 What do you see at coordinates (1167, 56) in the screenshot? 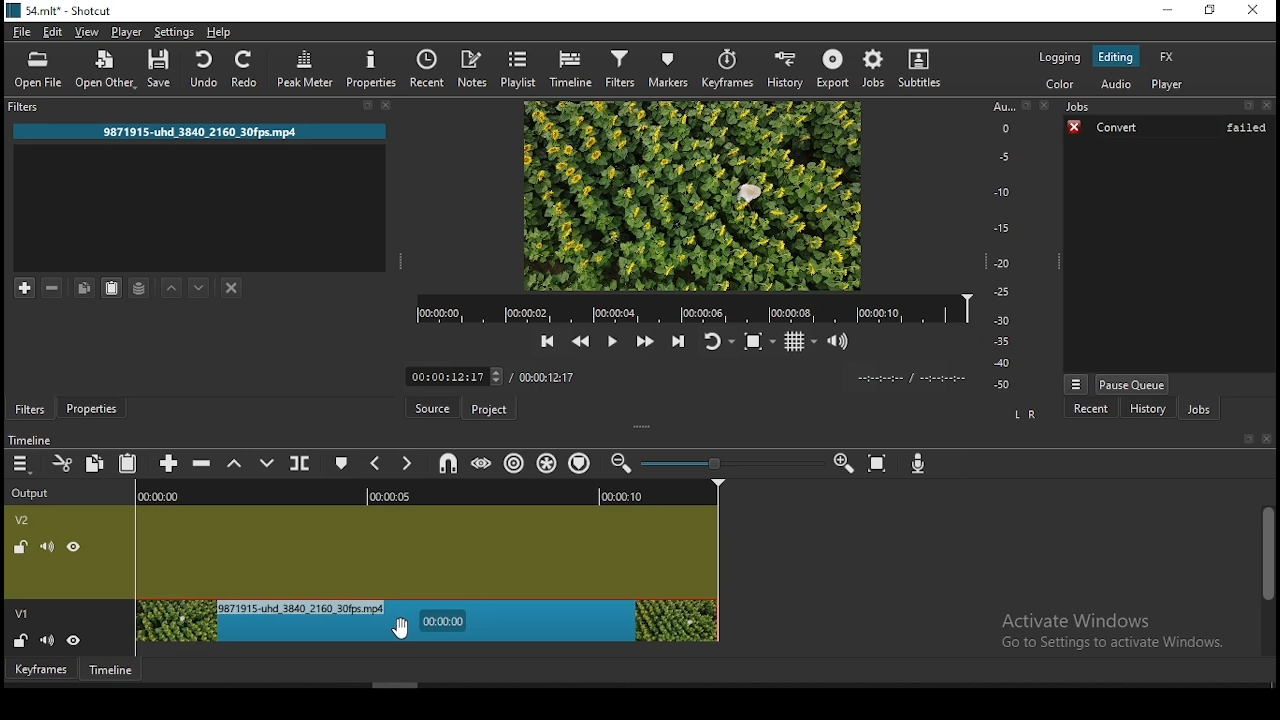
I see `fx` at bounding box center [1167, 56].